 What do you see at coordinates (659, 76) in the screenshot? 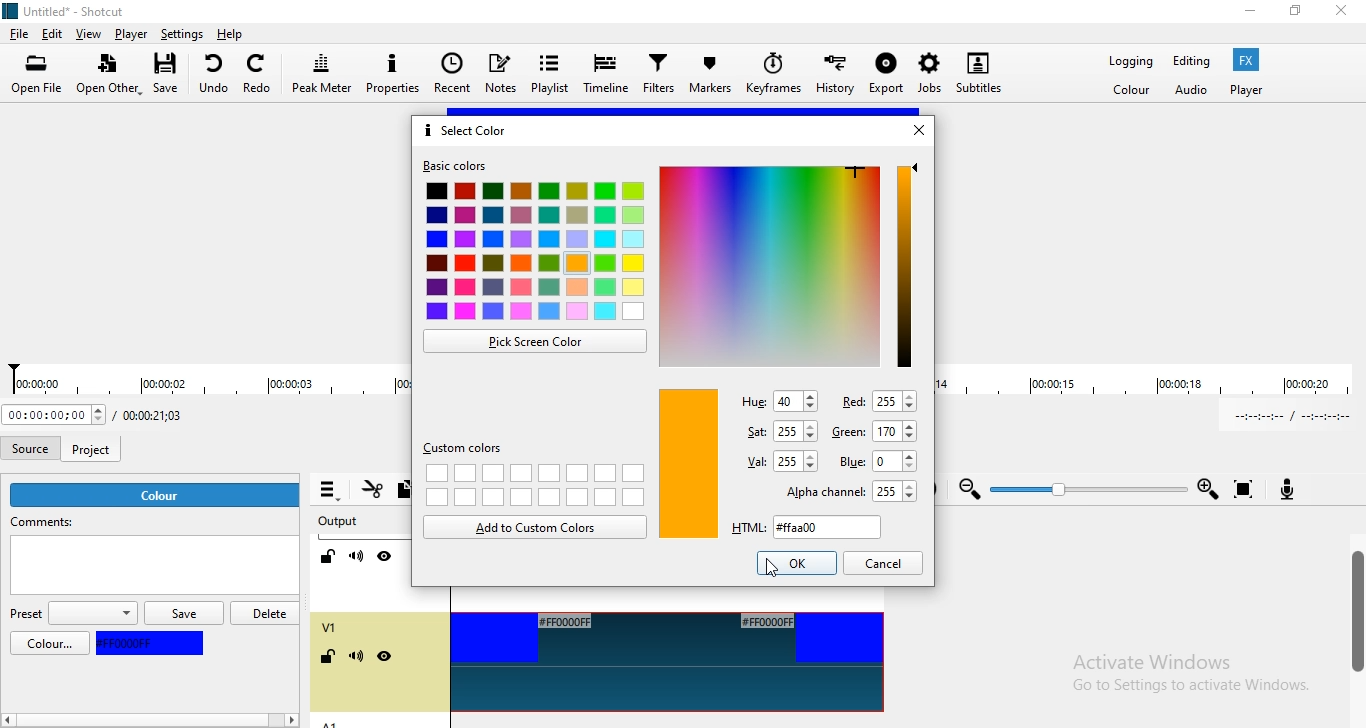
I see `Filters` at bounding box center [659, 76].